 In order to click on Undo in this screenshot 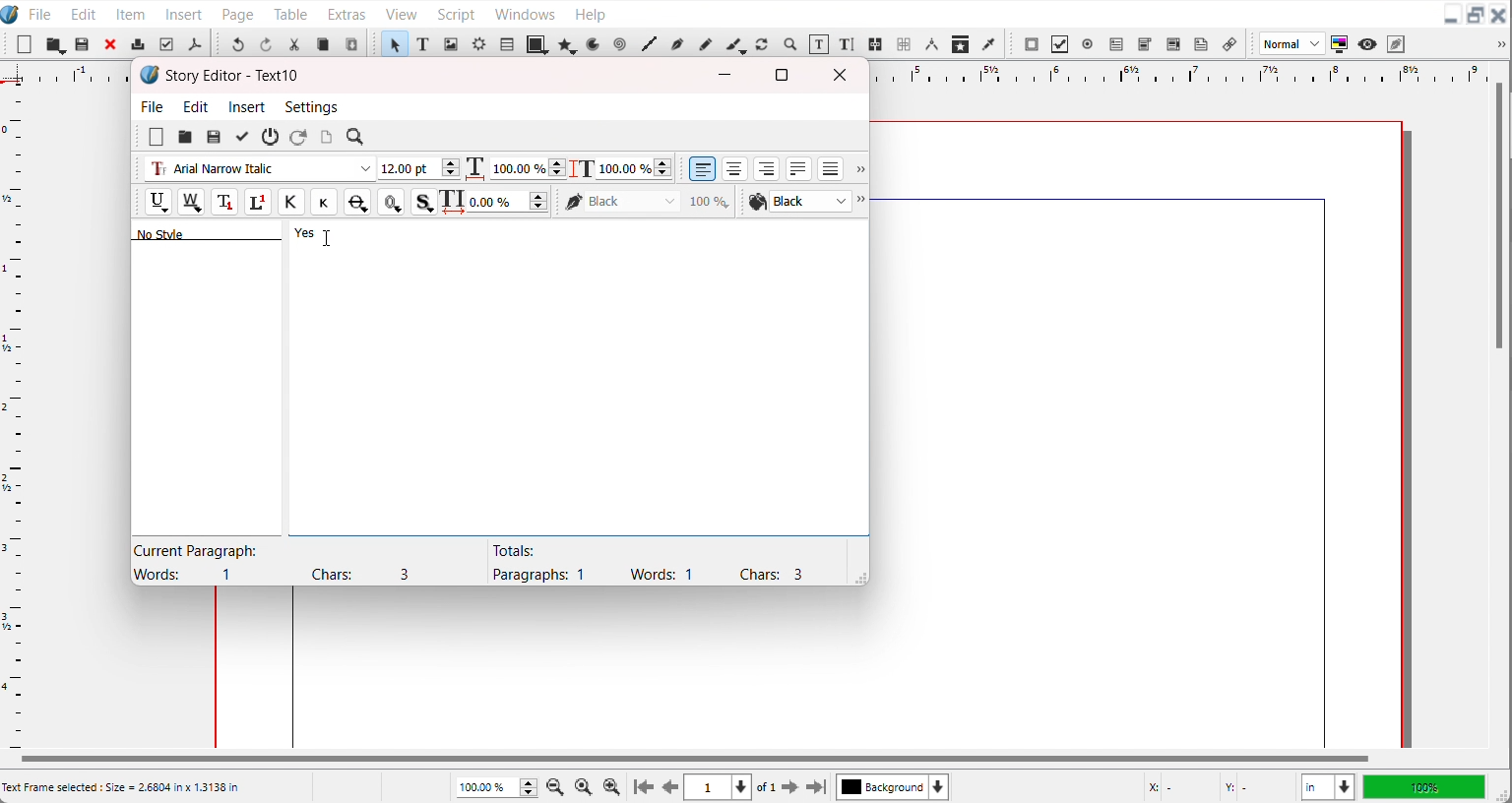, I will do `click(237, 43)`.